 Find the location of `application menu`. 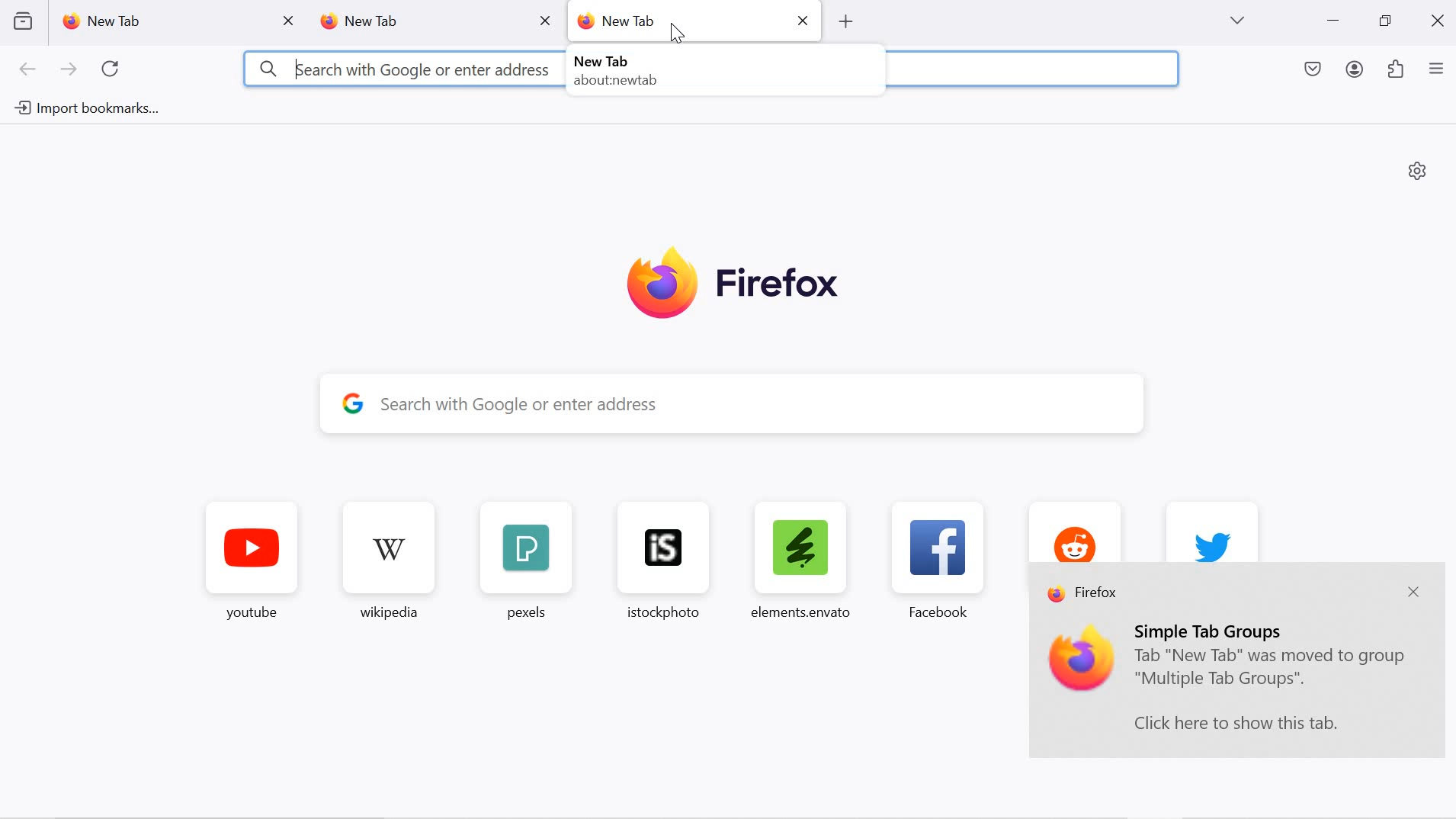

application menu is located at coordinates (1436, 70).